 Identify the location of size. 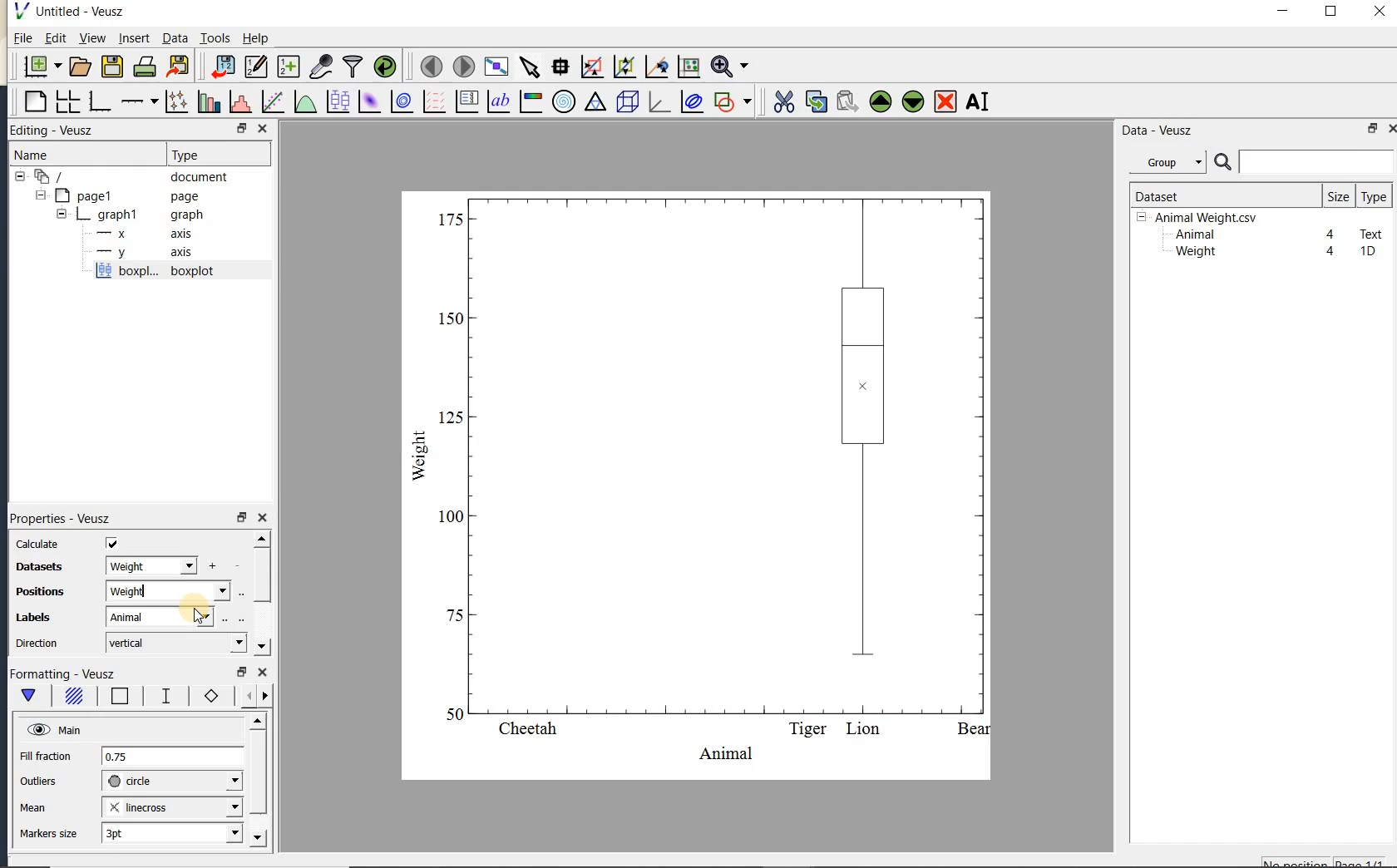
(1338, 195).